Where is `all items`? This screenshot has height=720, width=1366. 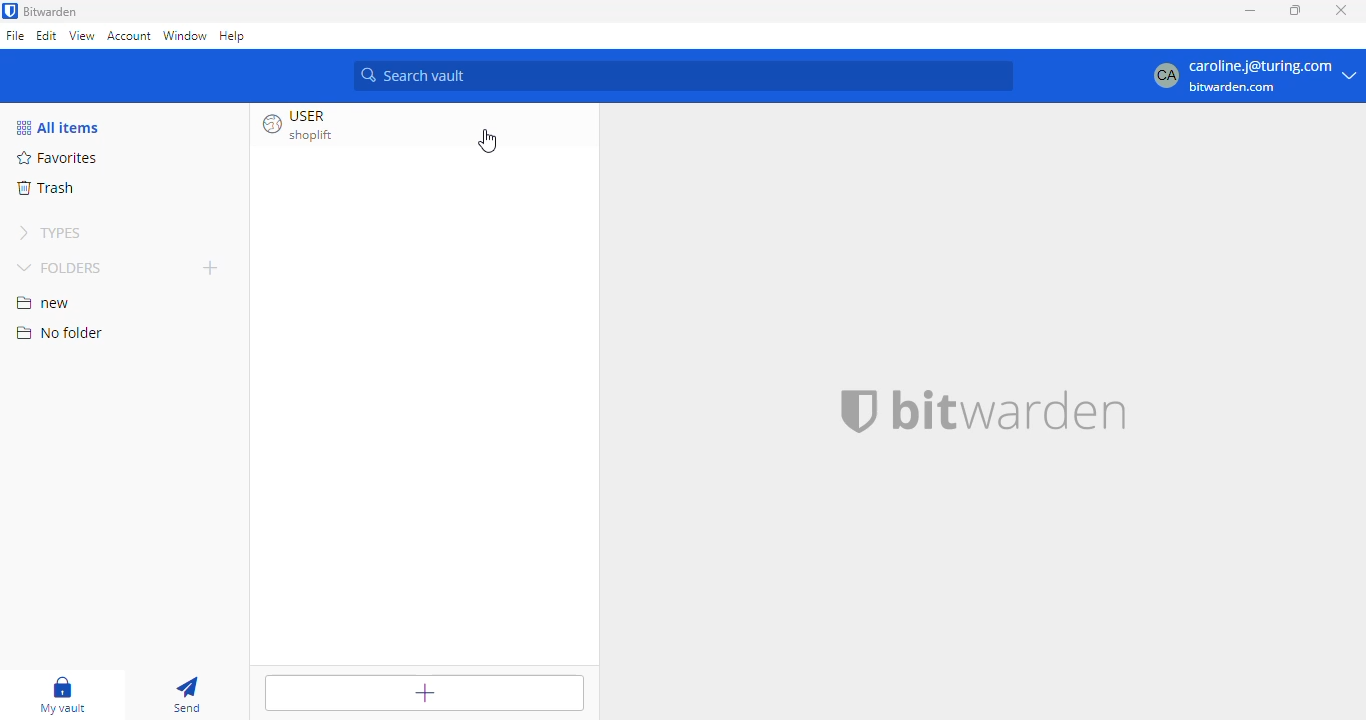
all items is located at coordinates (59, 128).